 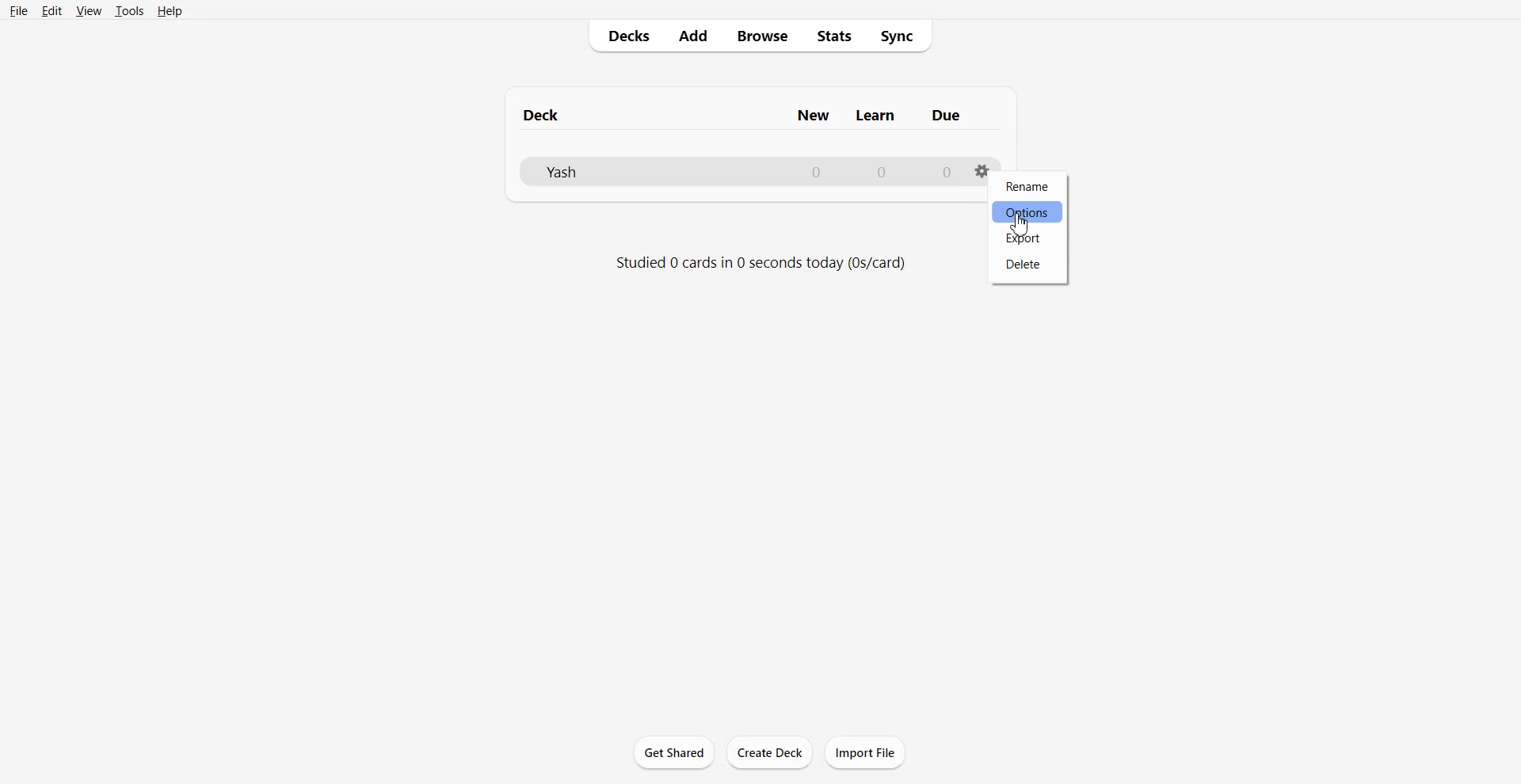 I want to click on Sync, so click(x=898, y=35).